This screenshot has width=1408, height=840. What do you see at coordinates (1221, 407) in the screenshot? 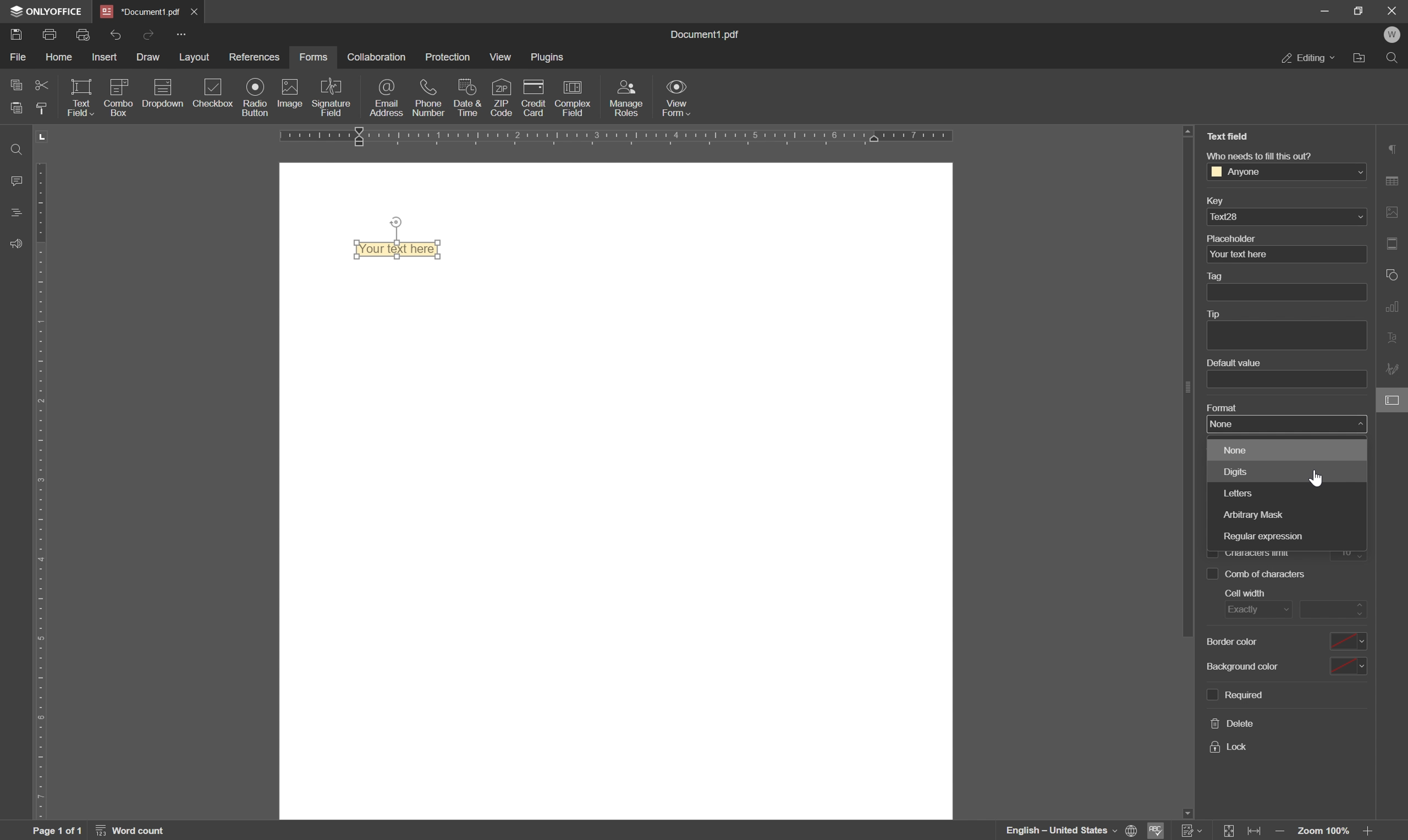
I see `format` at bounding box center [1221, 407].